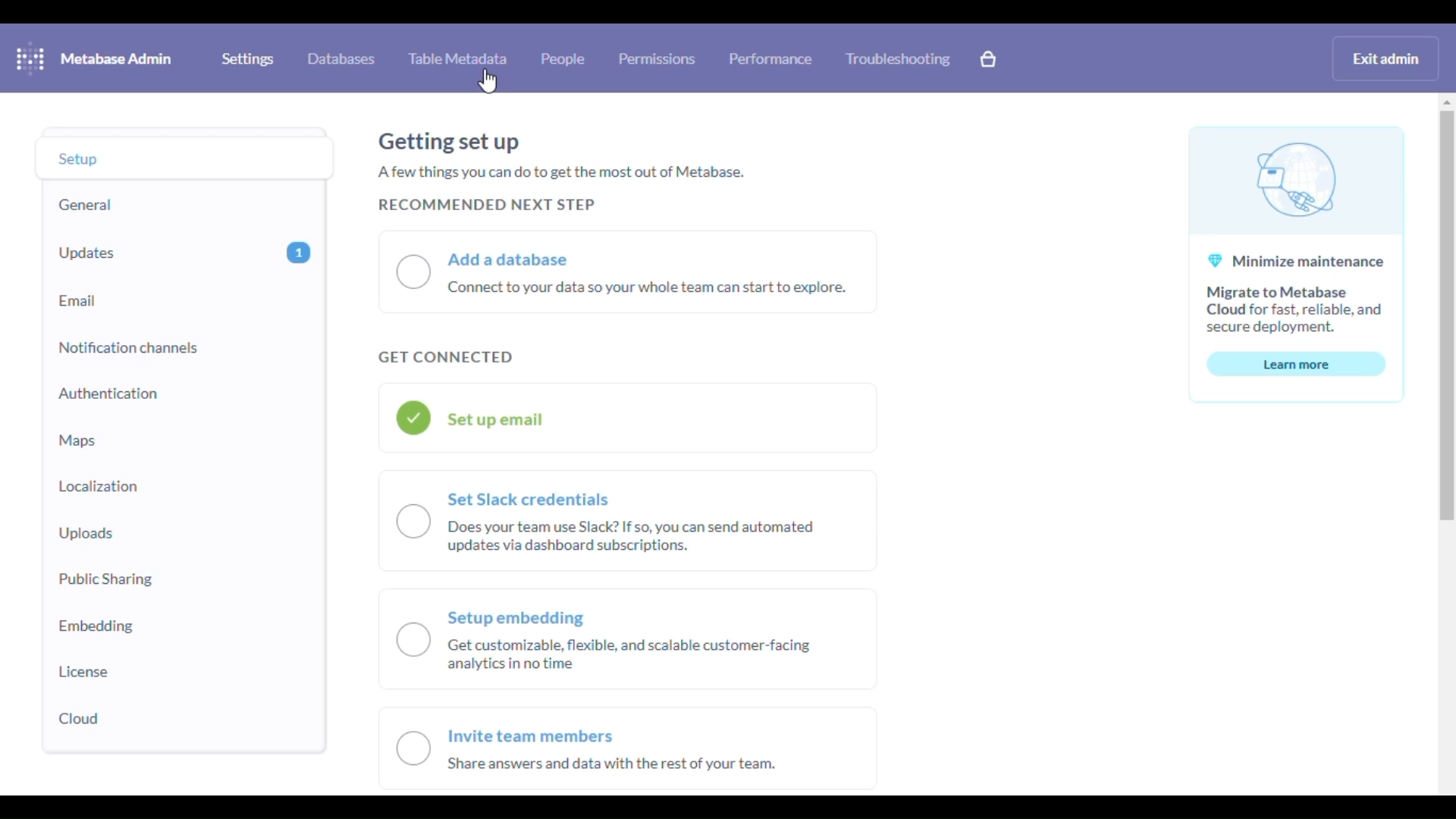 Image resolution: width=1456 pixels, height=819 pixels. Describe the element at coordinates (628, 419) in the screenshot. I see `set up email` at that location.